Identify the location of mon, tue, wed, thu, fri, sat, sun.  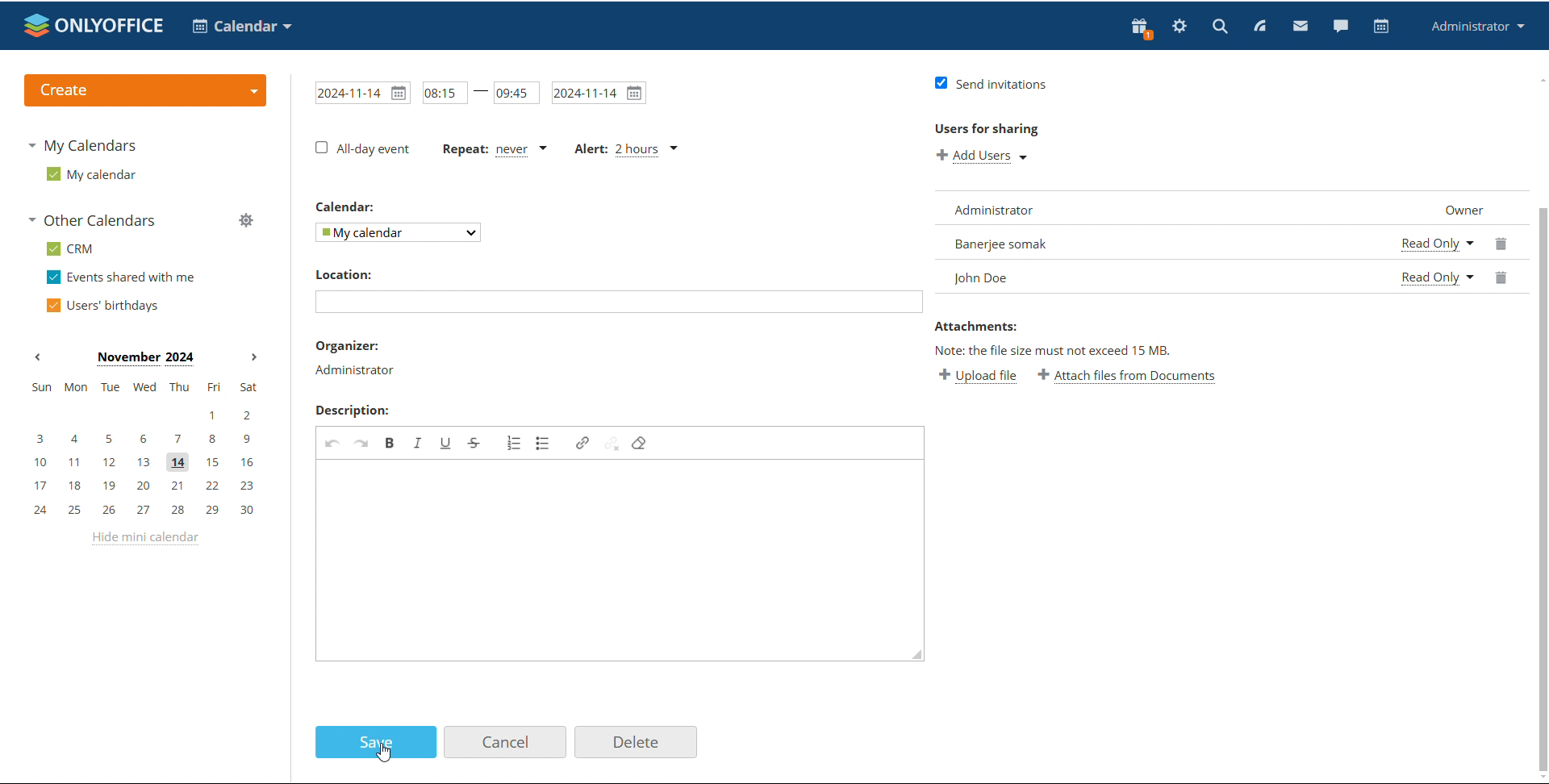
(144, 386).